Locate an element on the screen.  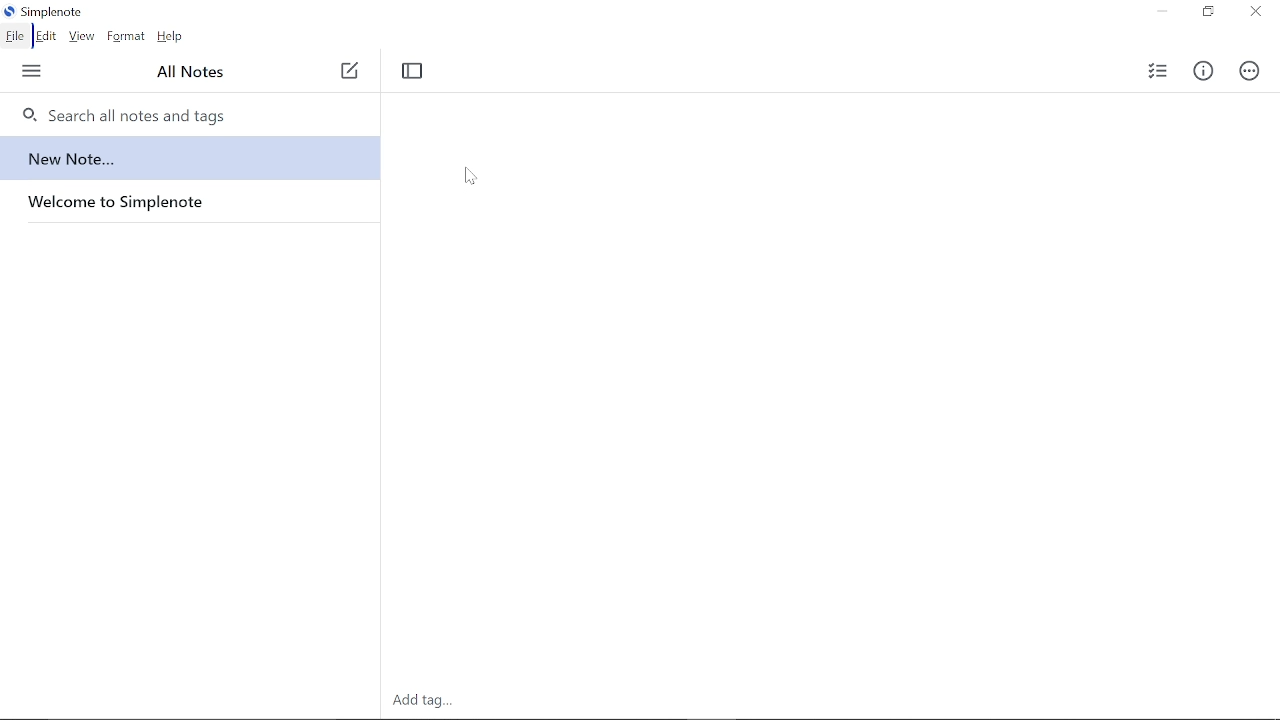
Format is located at coordinates (127, 38).